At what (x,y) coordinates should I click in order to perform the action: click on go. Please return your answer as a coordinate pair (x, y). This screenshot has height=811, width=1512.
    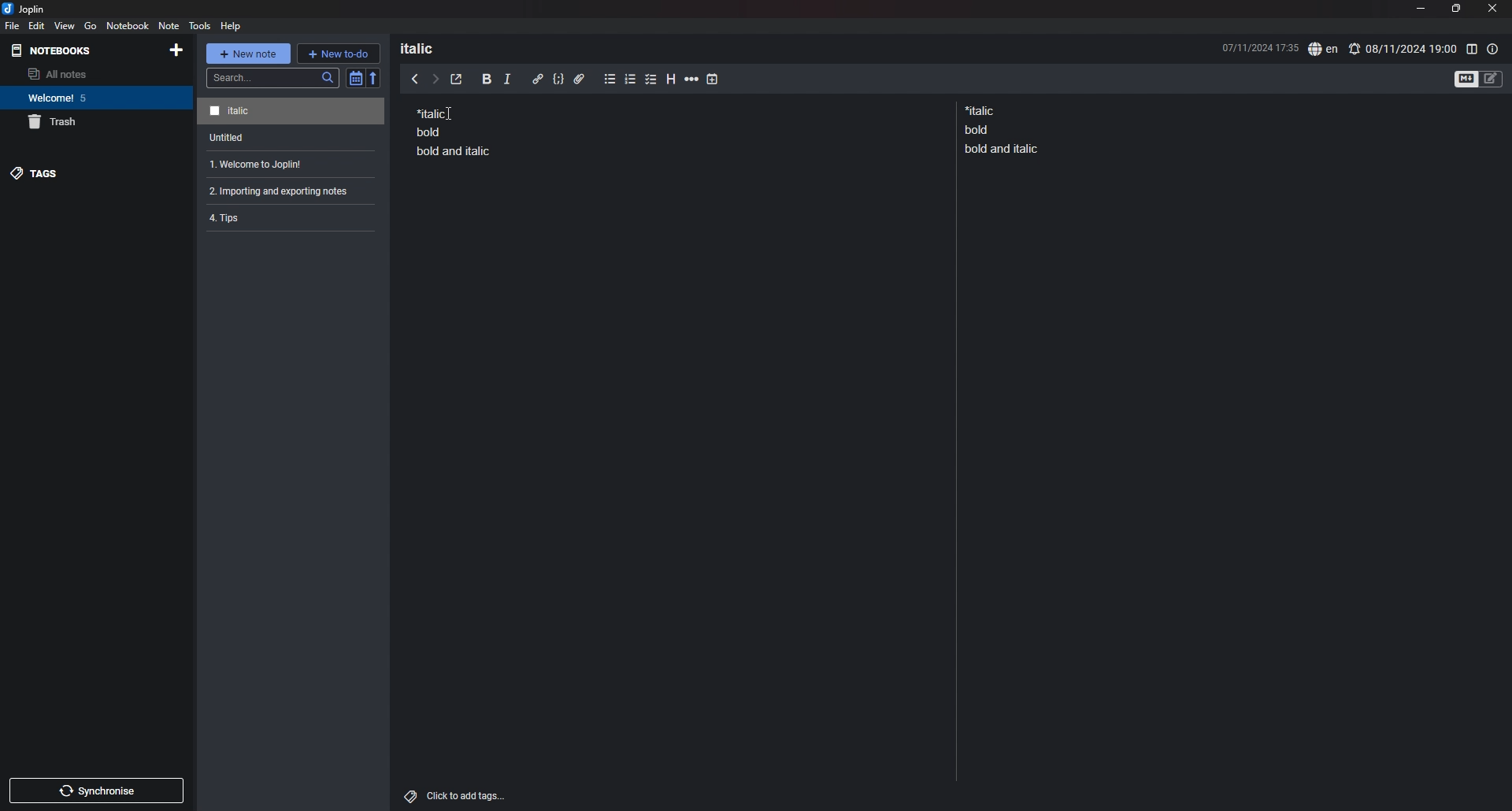
    Looking at the image, I should click on (90, 26).